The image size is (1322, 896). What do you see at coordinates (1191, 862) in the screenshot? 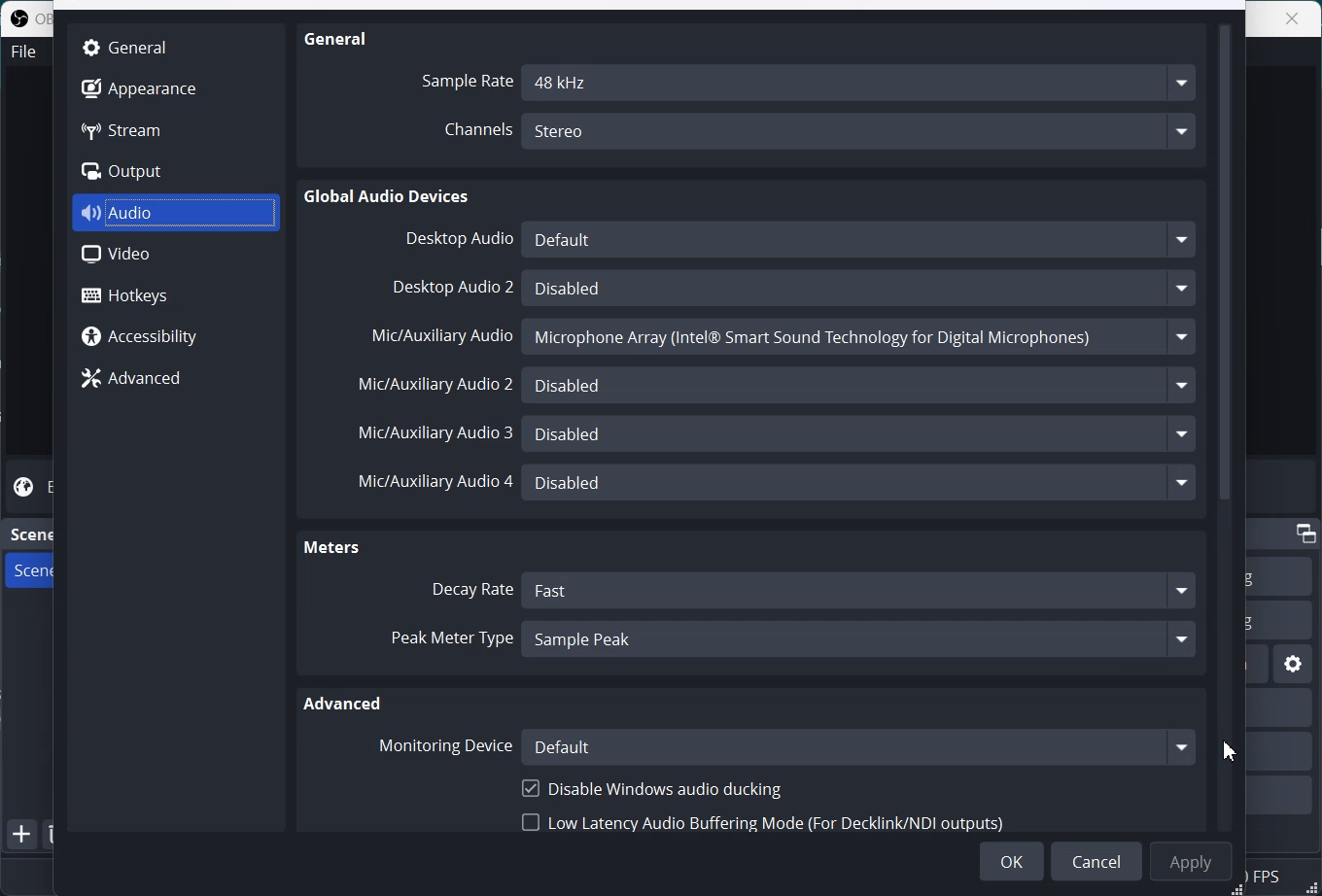
I see `Apply` at bounding box center [1191, 862].